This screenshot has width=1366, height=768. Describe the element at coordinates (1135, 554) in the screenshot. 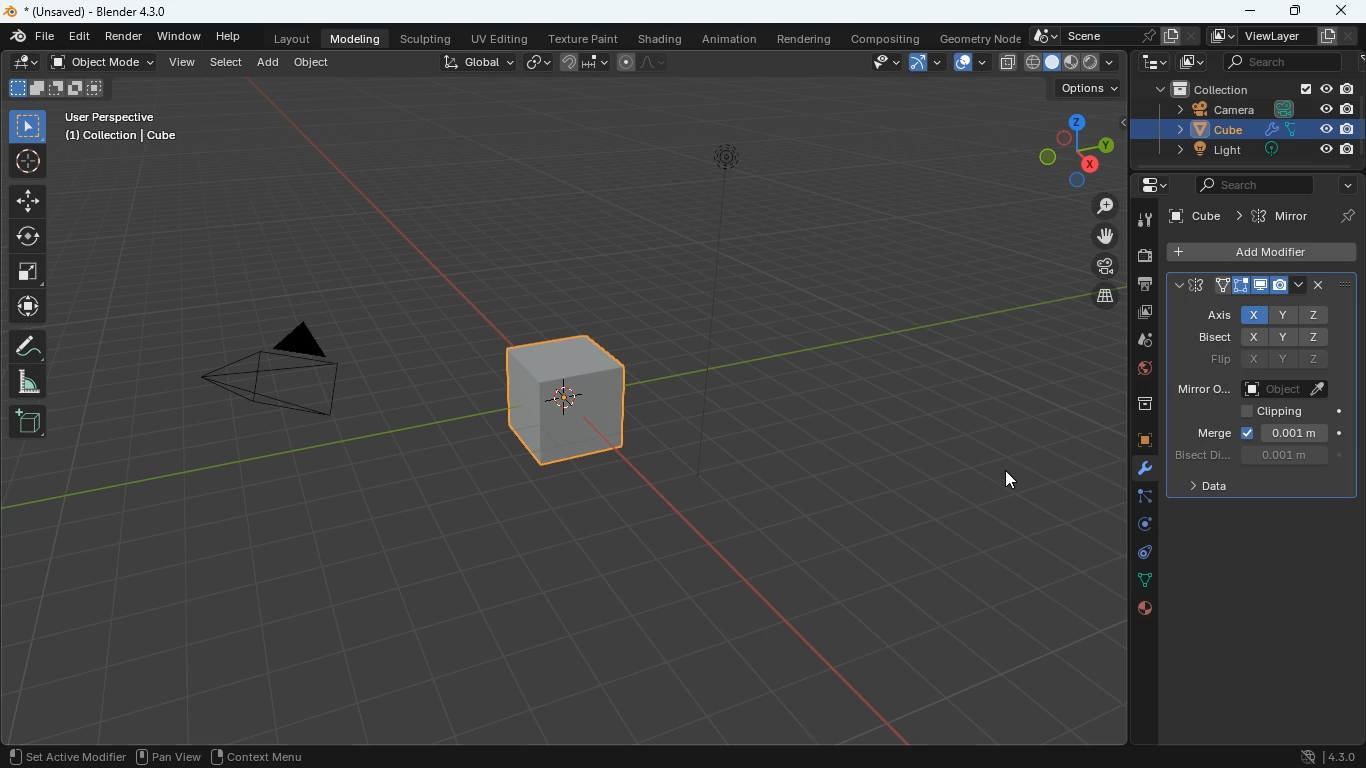

I see `control` at that location.